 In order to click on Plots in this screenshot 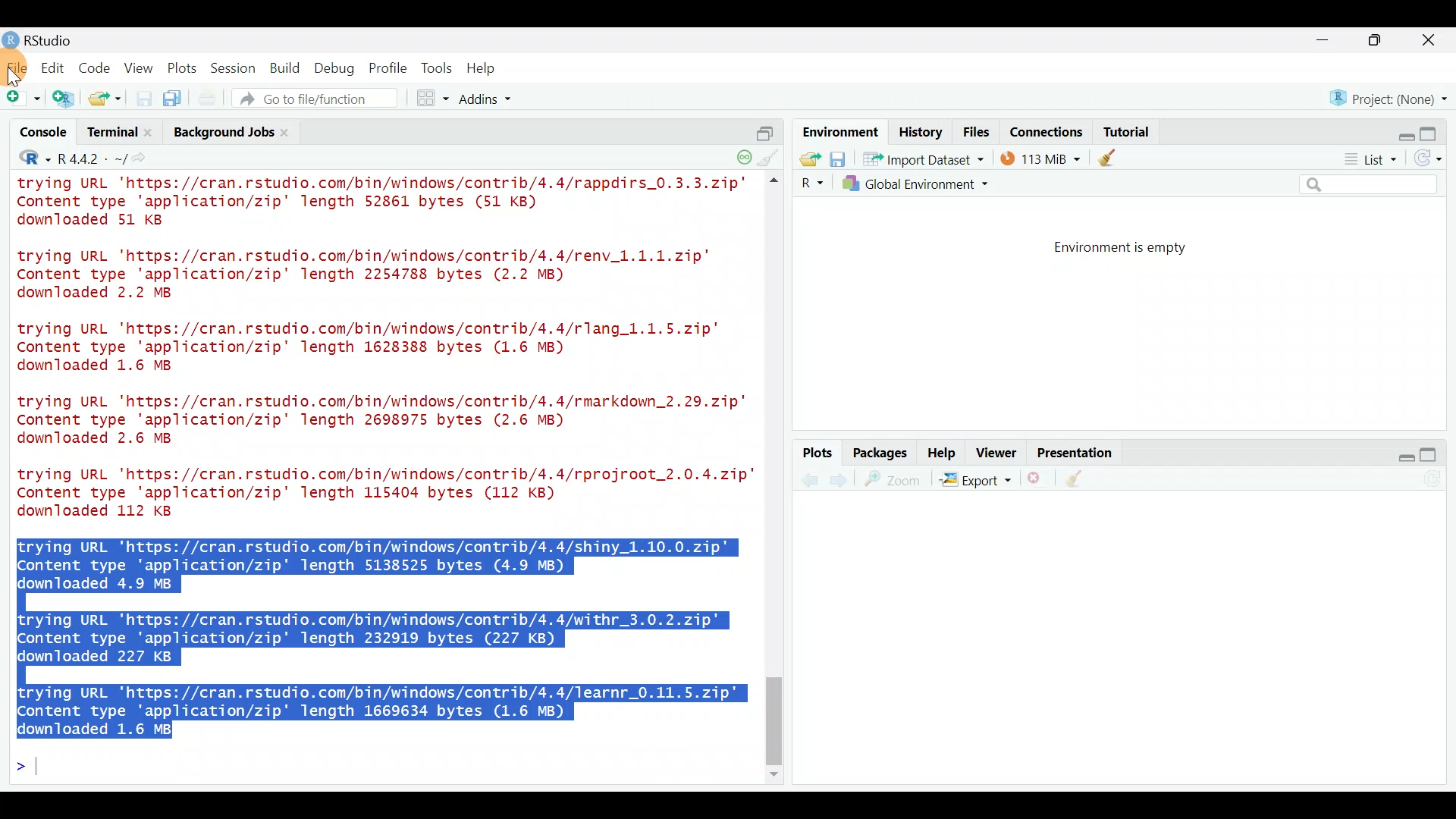, I will do `click(818, 453)`.